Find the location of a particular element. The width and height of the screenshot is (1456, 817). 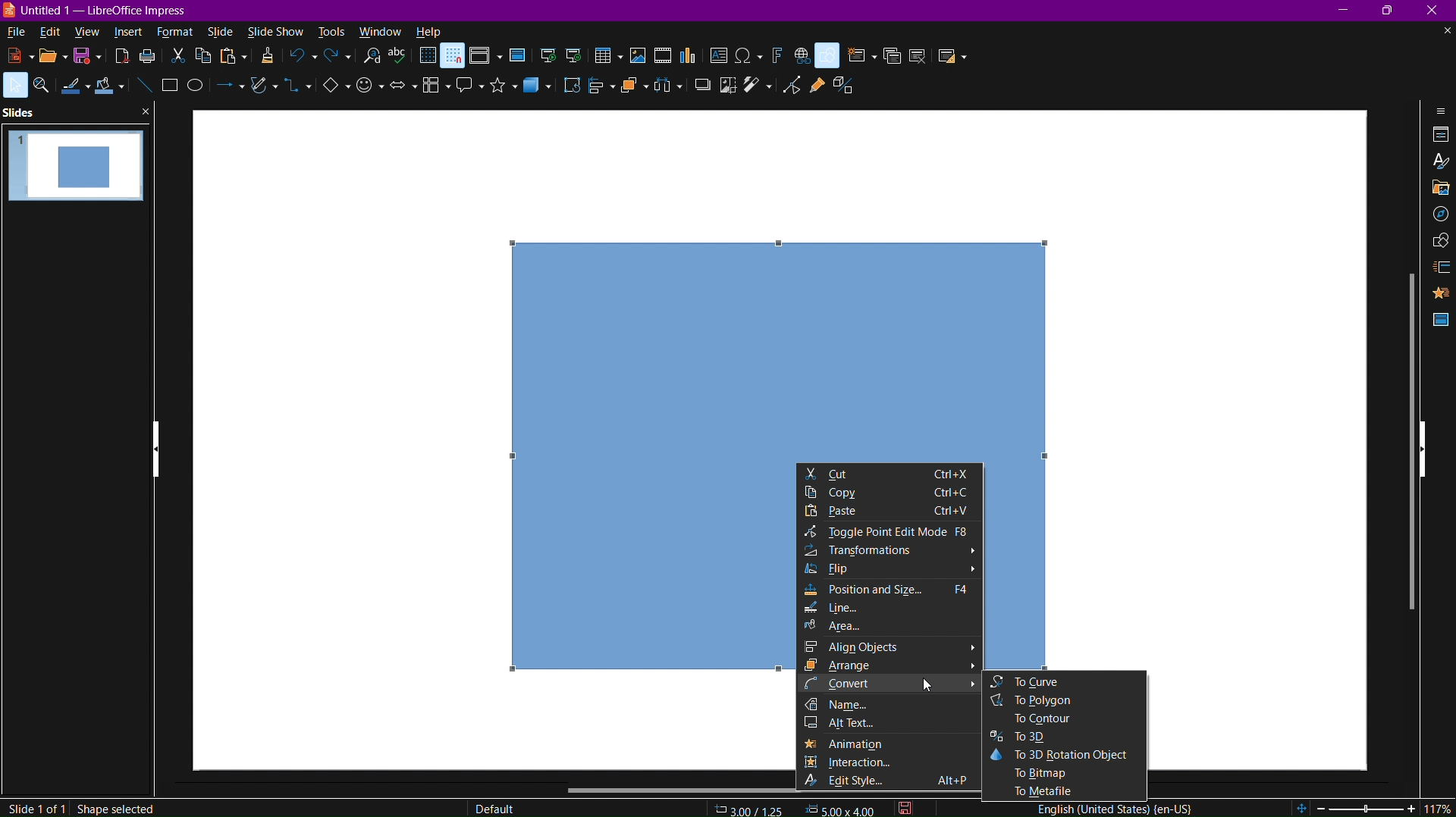

Duplicate Slide is located at coordinates (891, 56).